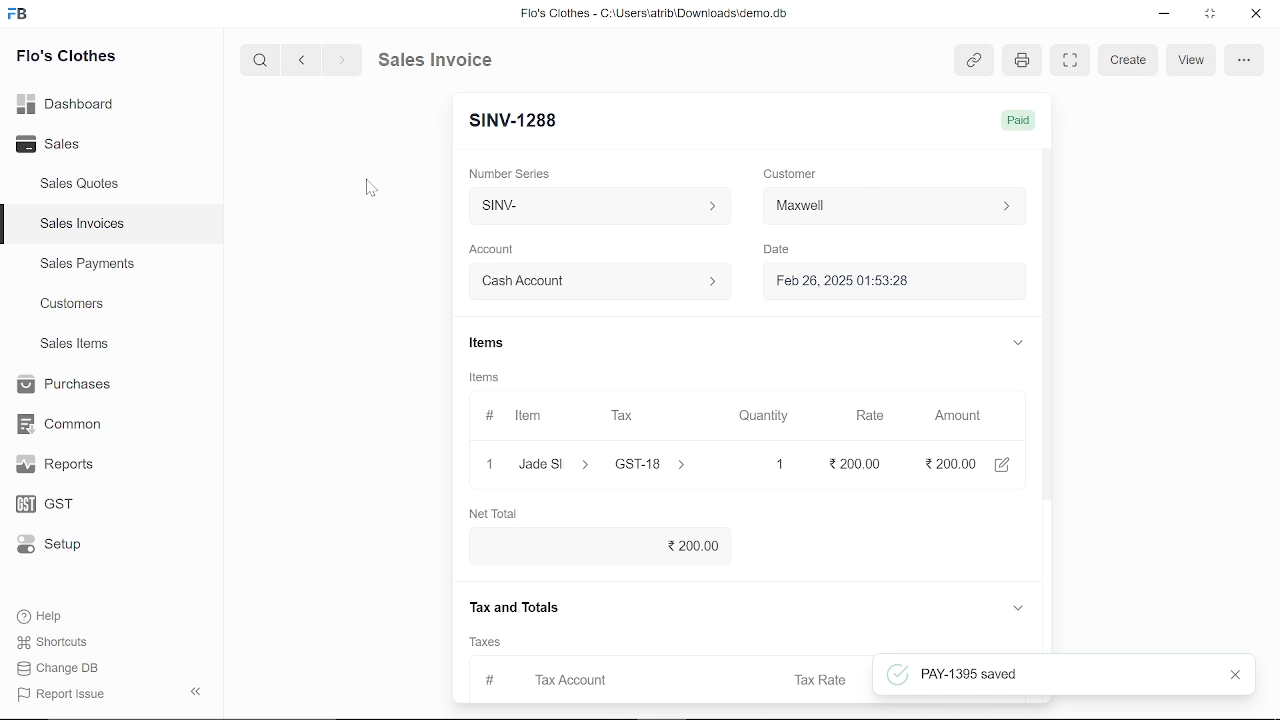 The image size is (1280, 720). I want to click on close, so click(488, 463).